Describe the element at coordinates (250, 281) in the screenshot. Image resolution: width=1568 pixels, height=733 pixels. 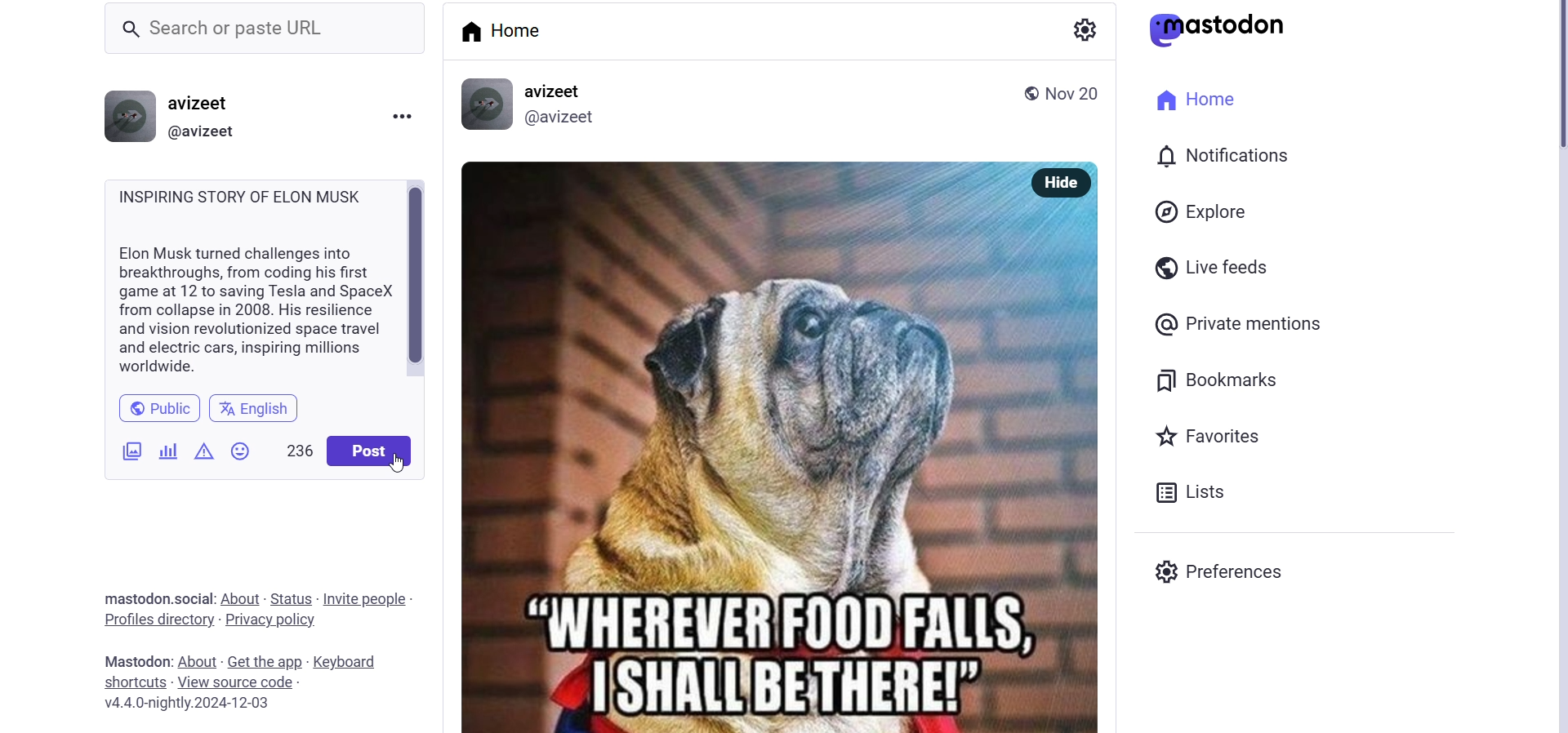
I see `inspiring story added` at that location.